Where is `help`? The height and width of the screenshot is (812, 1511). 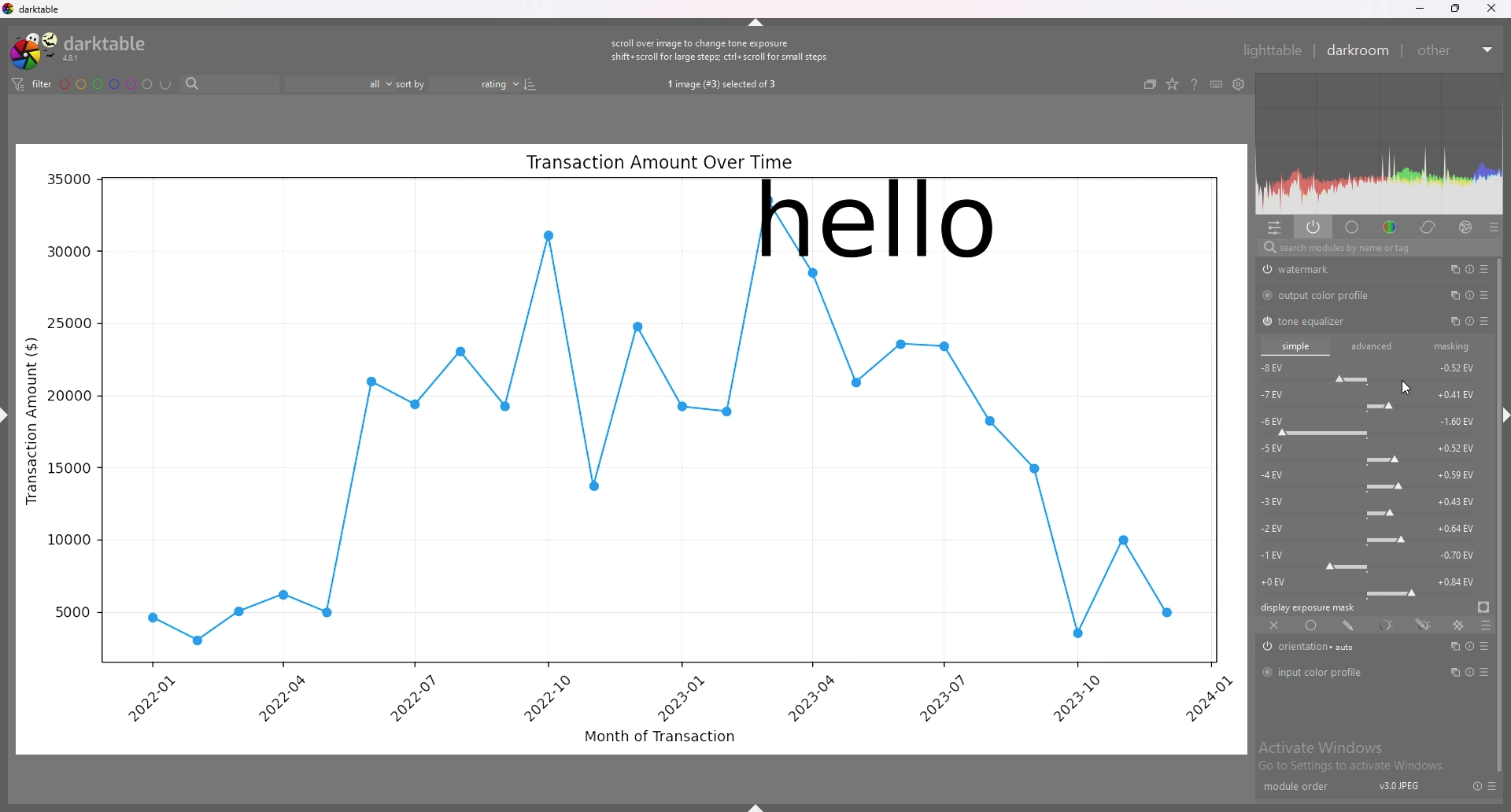 help is located at coordinates (1193, 85).